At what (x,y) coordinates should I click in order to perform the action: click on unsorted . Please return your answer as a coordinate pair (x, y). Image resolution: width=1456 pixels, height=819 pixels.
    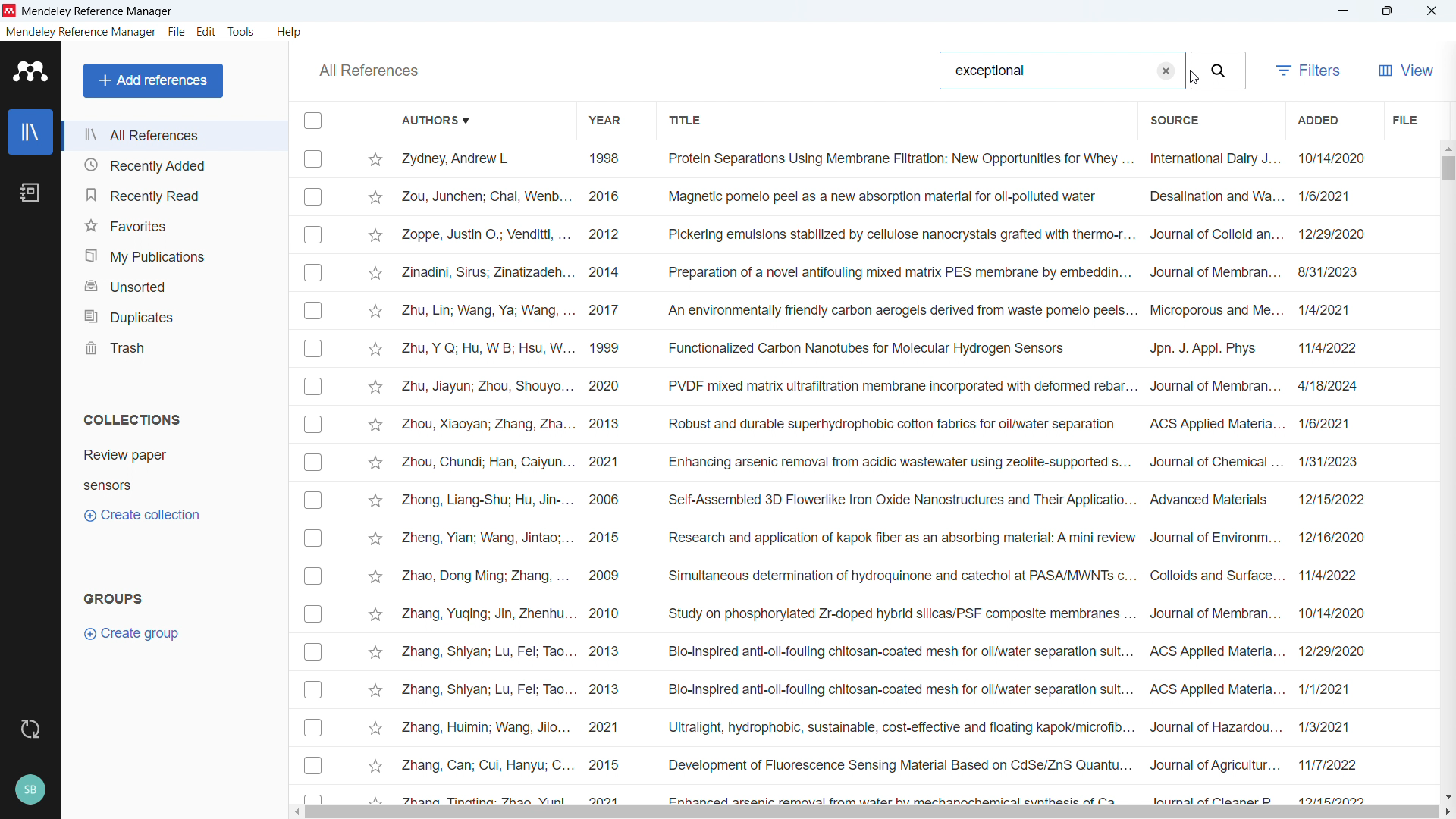
    Looking at the image, I should click on (172, 284).